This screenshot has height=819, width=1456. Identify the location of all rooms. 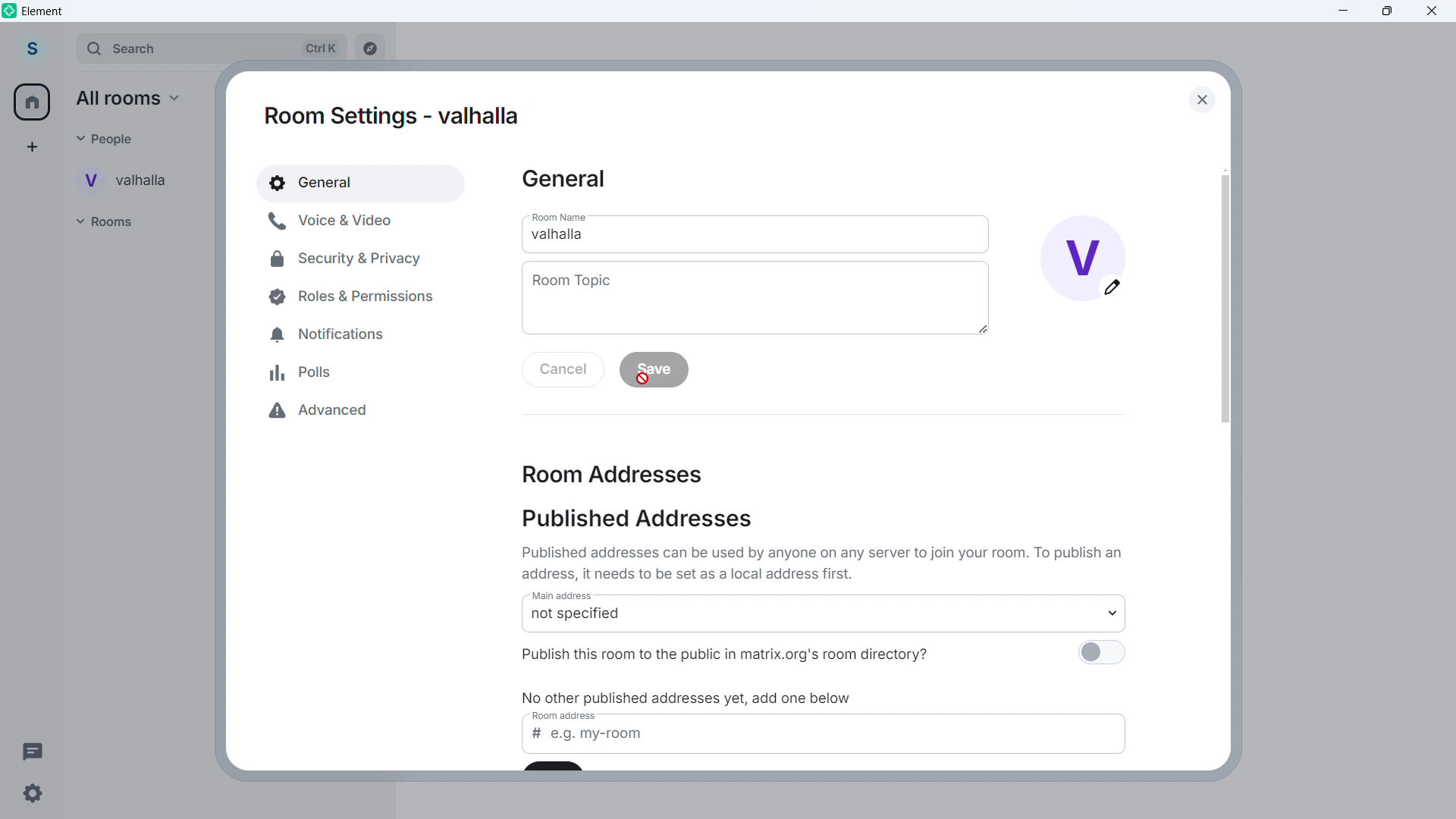
(133, 98).